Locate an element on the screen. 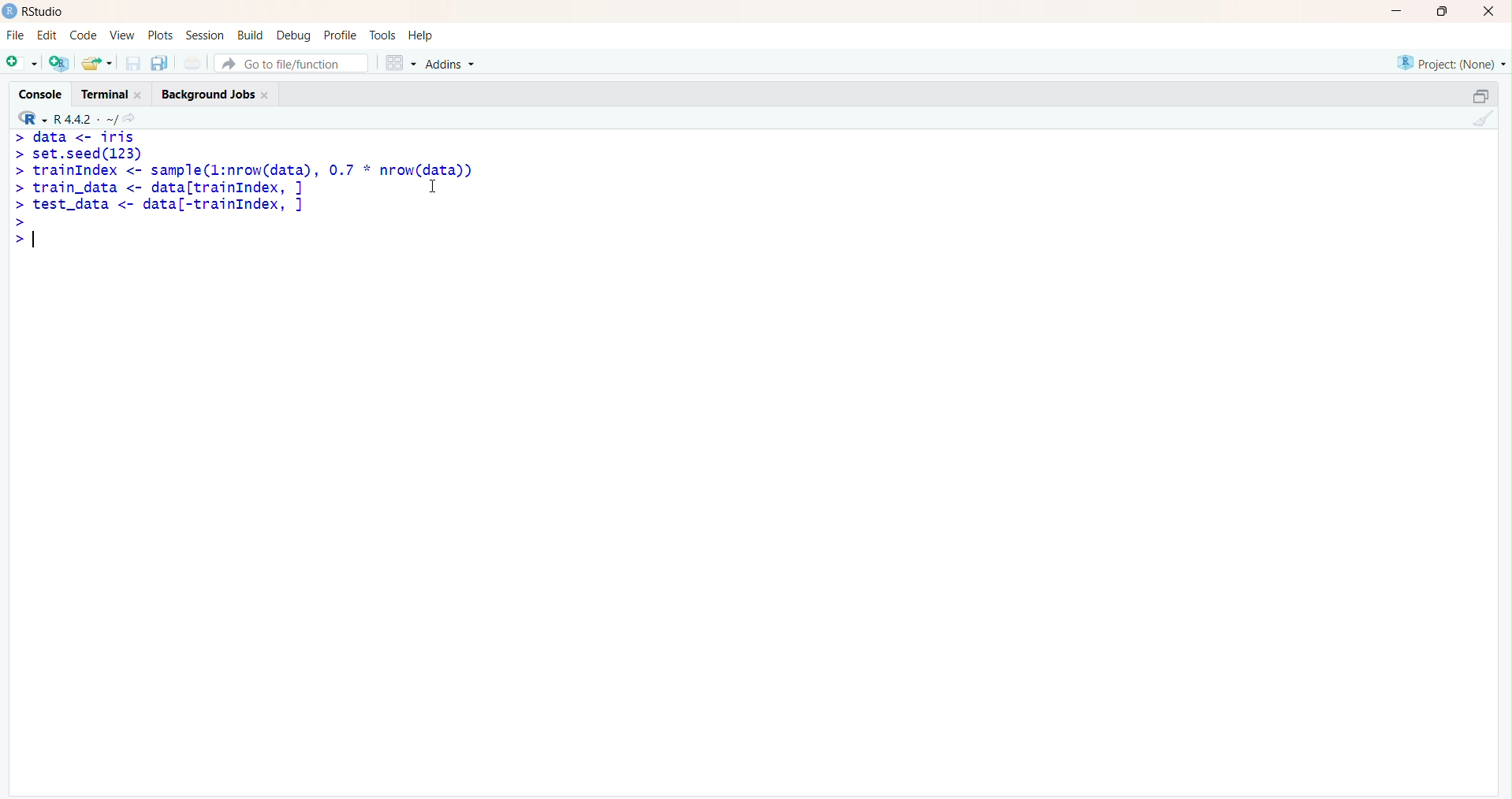 The width and height of the screenshot is (1512, 799). Edit is located at coordinates (47, 33).